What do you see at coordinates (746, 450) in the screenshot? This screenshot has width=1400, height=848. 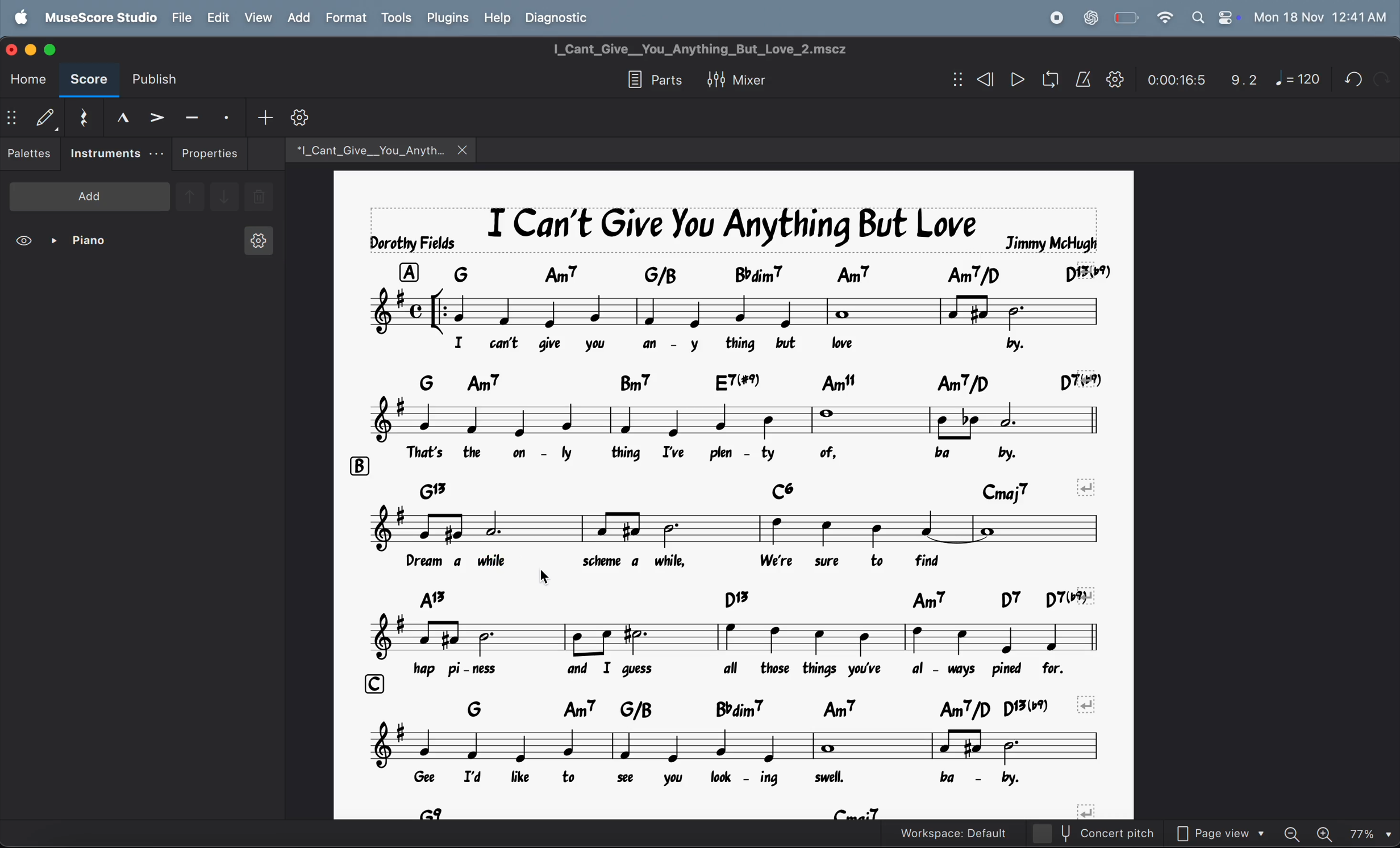 I see `lyrics` at bounding box center [746, 450].